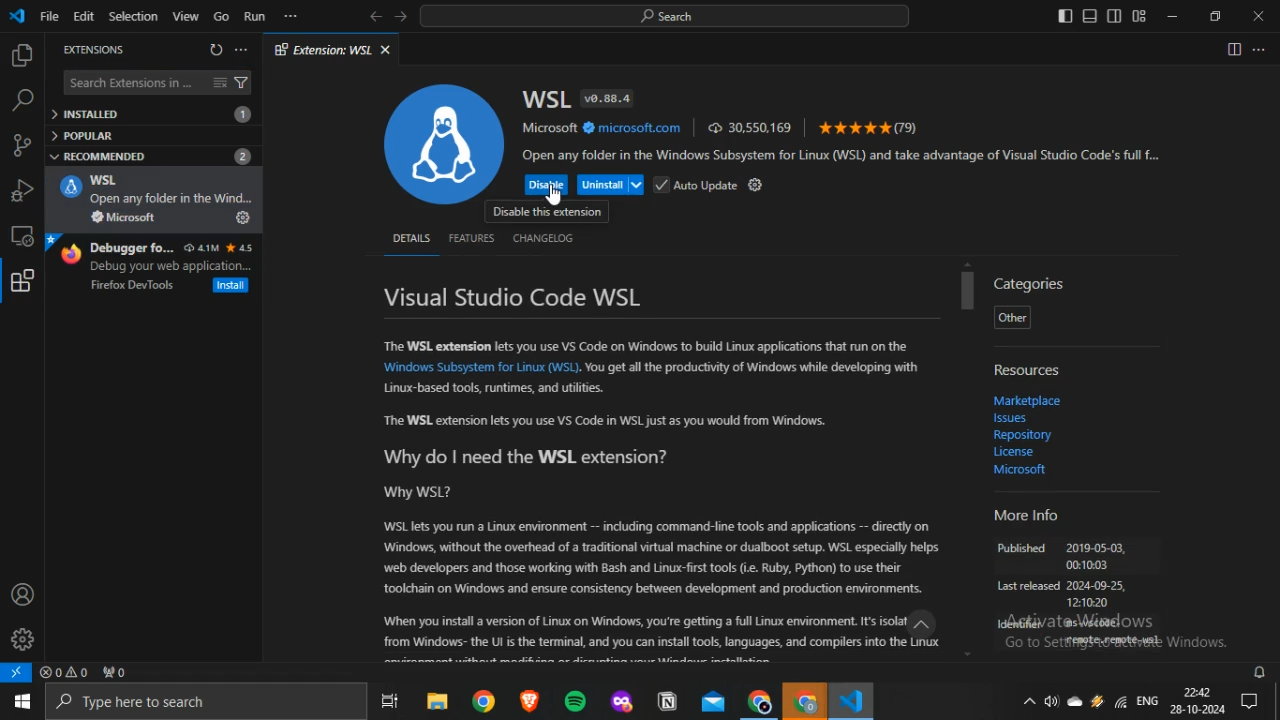  What do you see at coordinates (391, 700) in the screenshot?
I see `task view` at bounding box center [391, 700].